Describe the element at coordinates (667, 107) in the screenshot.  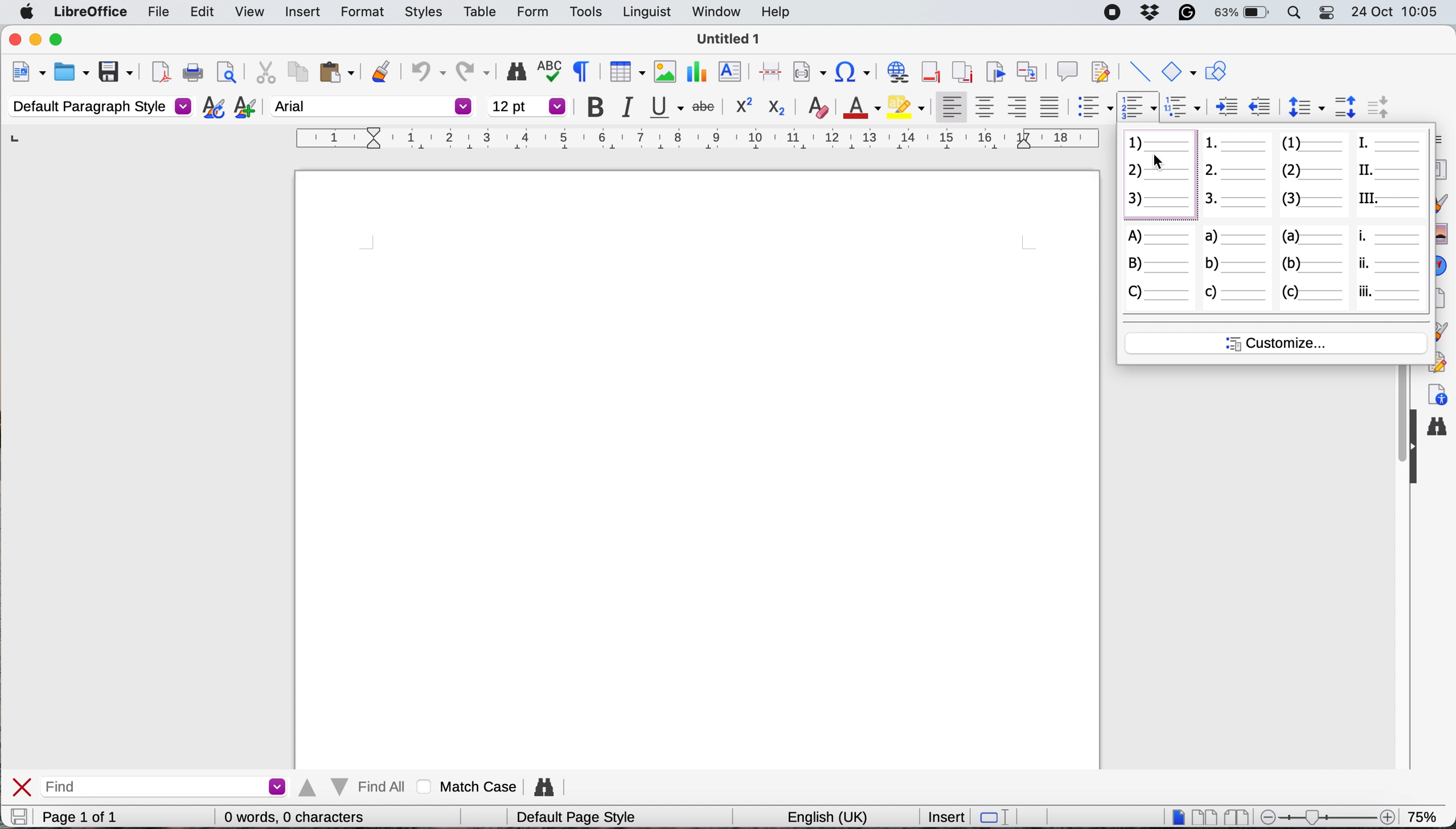
I see `underline` at that location.